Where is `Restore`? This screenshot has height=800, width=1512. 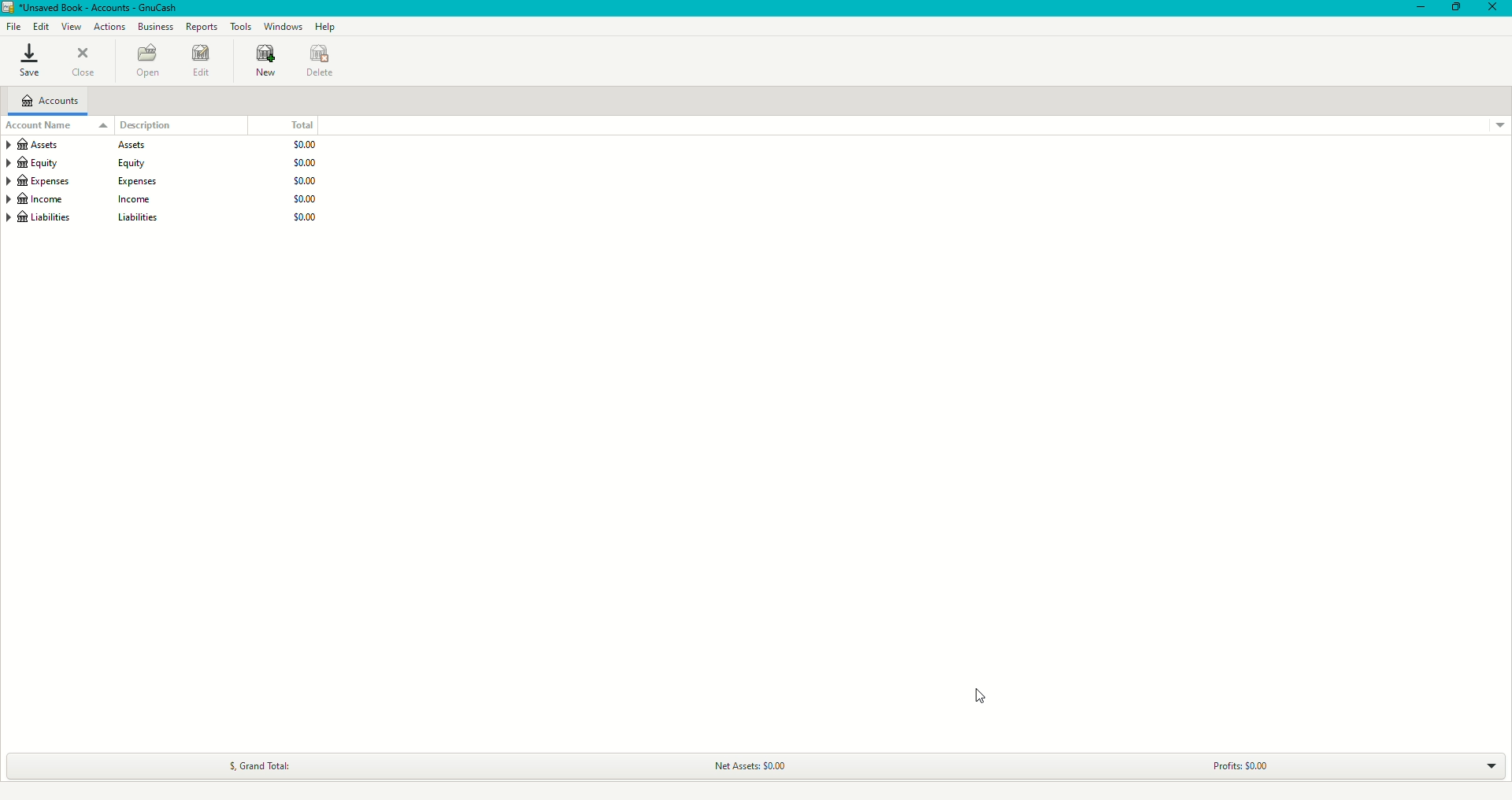 Restore is located at coordinates (1455, 8).